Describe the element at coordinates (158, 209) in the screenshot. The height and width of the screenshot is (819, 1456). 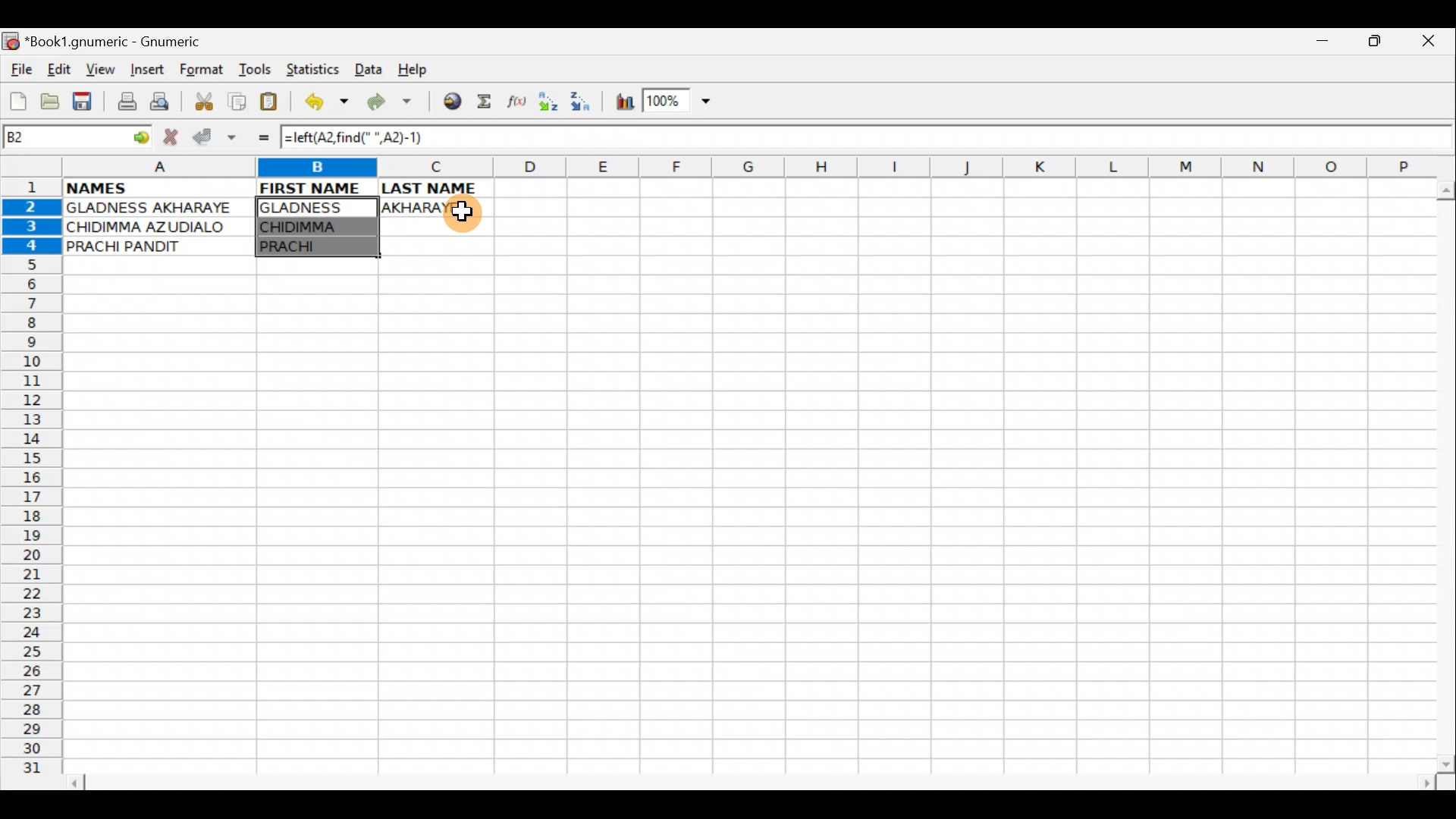
I see `GLADNESS AKHARAYE` at that location.